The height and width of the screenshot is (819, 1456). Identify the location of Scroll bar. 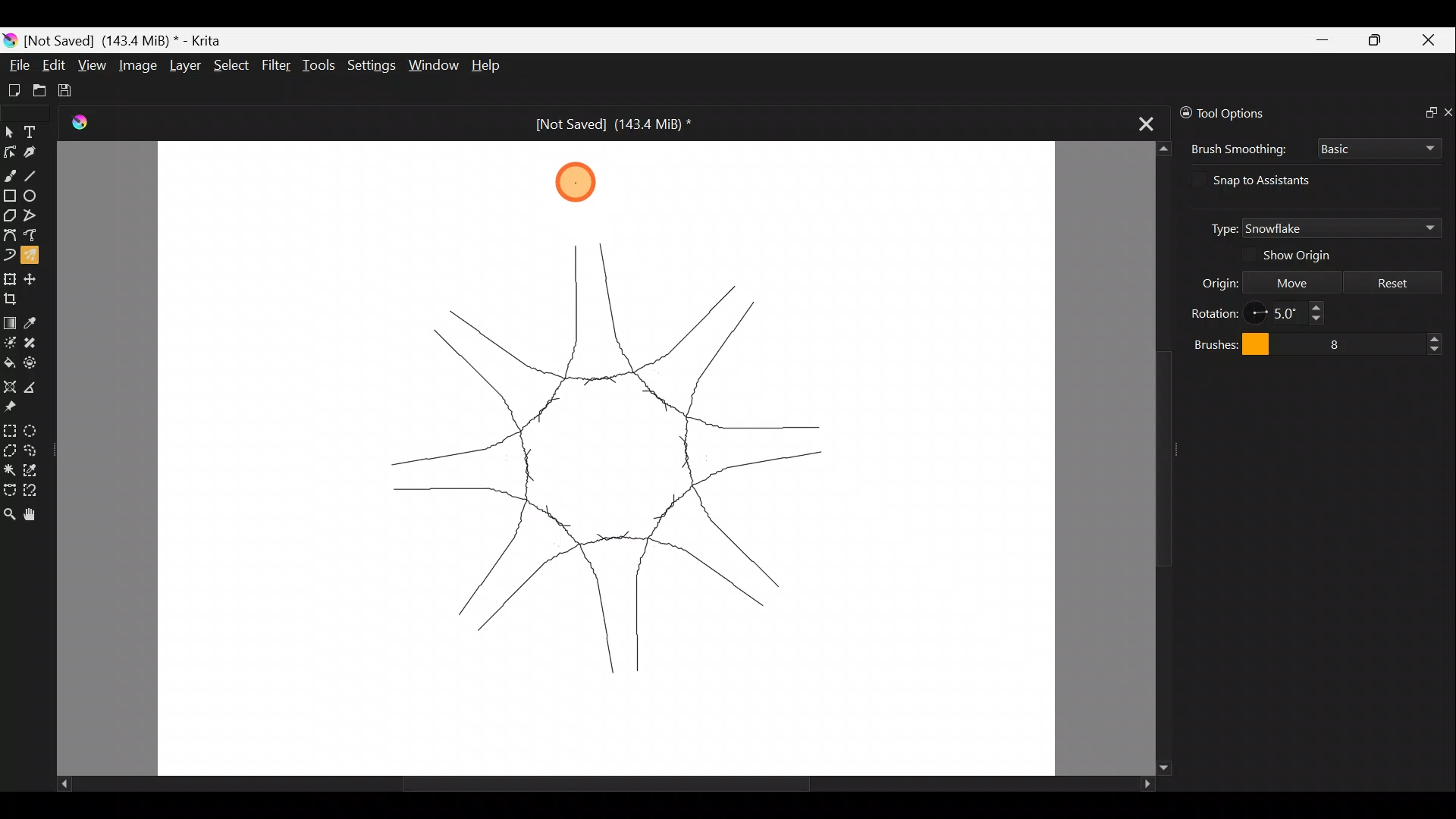
(1150, 459).